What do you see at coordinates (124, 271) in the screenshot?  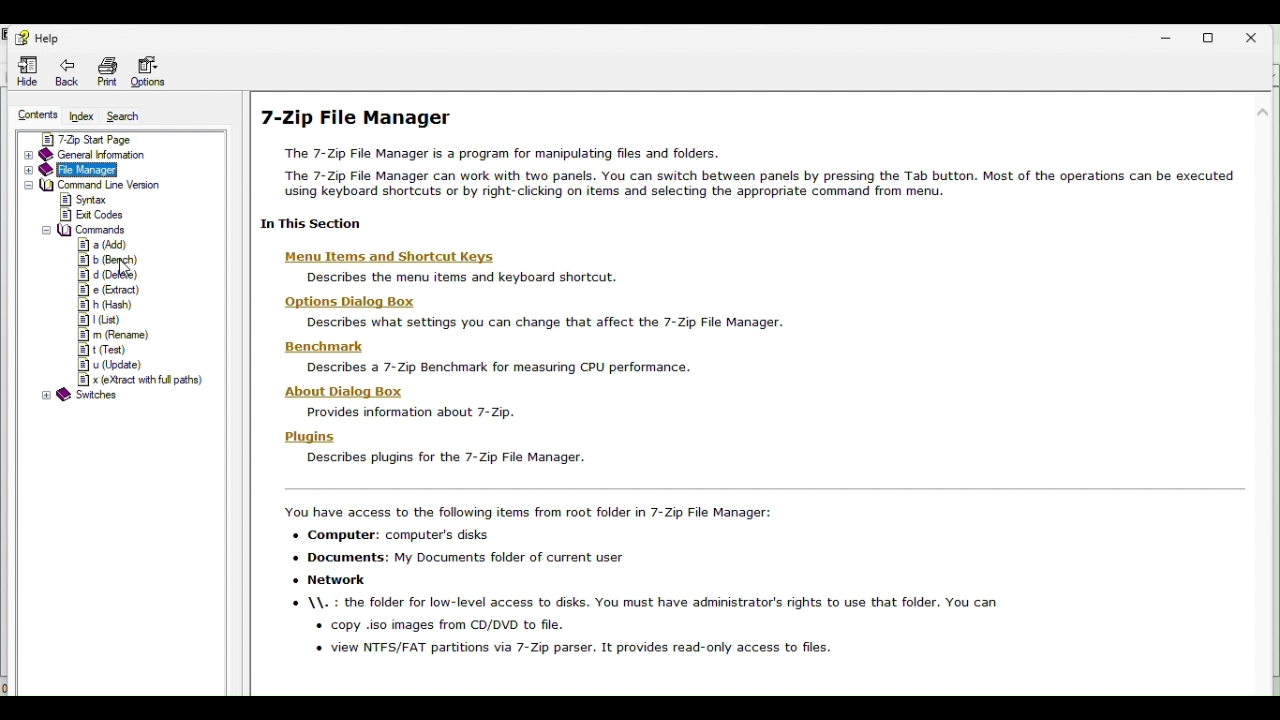 I see `cursor` at bounding box center [124, 271].